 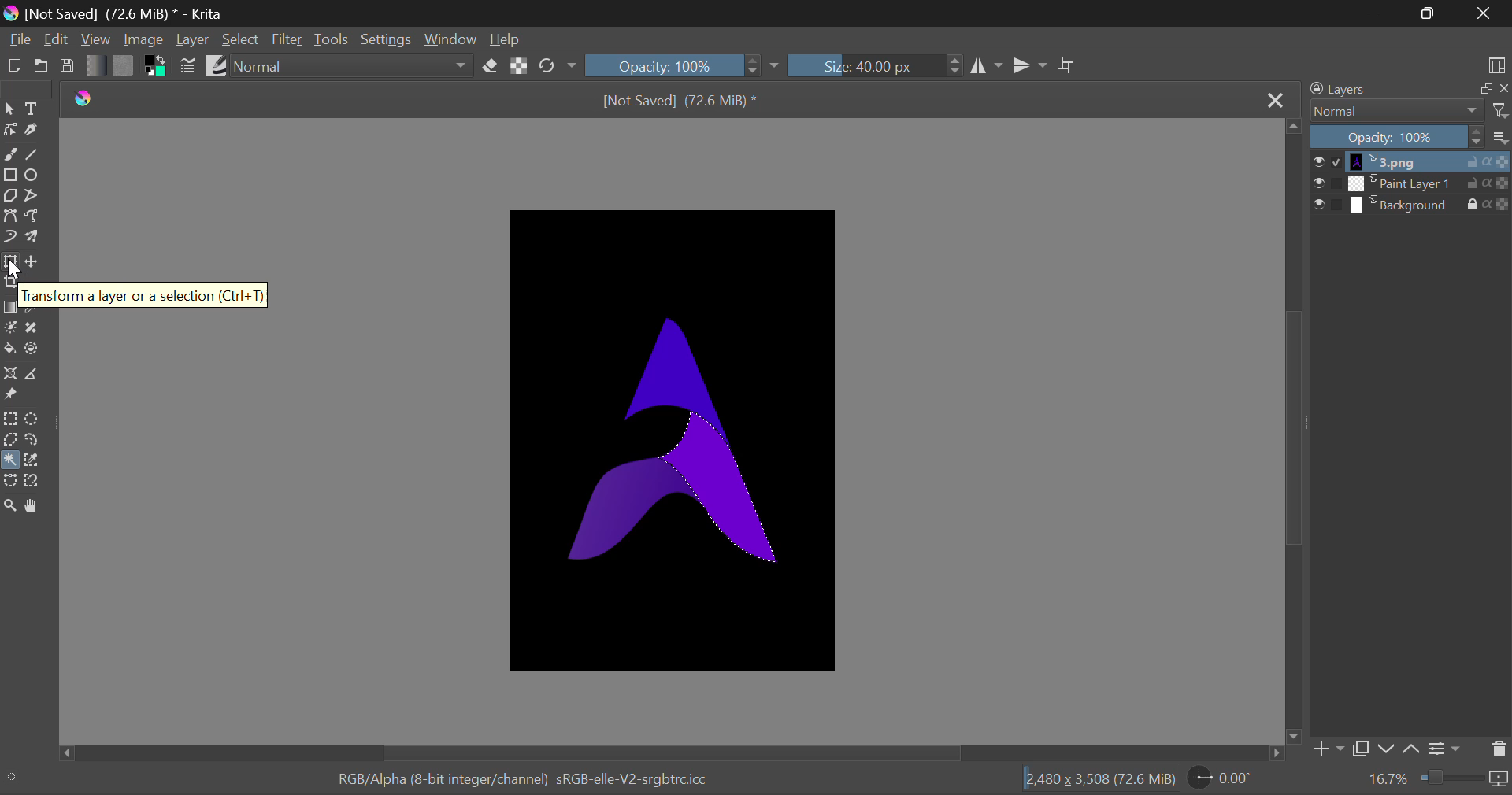 I want to click on Page Rotation, so click(x=1230, y=778).